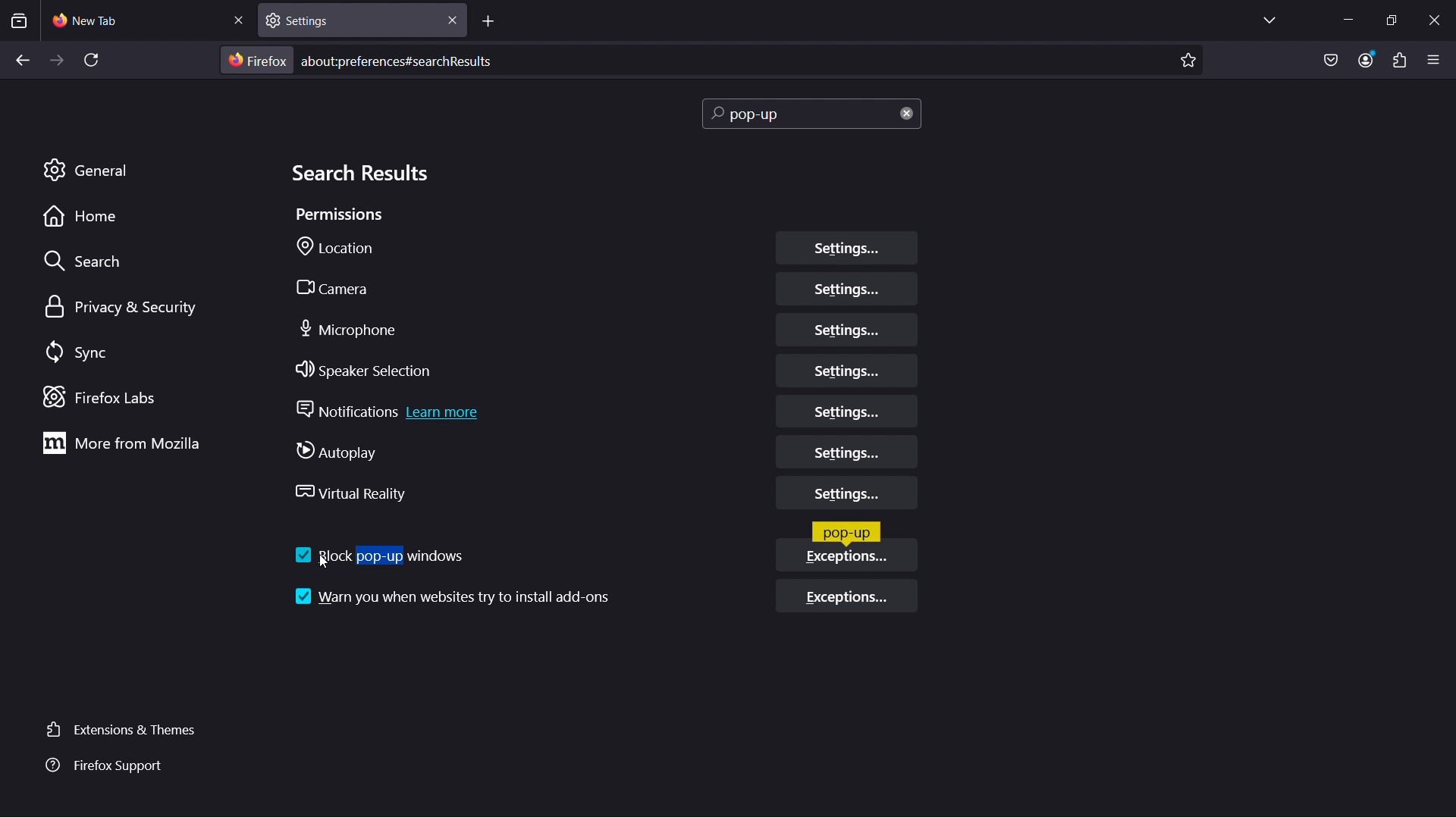 This screenshot has width=1456, height=817. I want to click on aboutpreferences, so click(711, 61).